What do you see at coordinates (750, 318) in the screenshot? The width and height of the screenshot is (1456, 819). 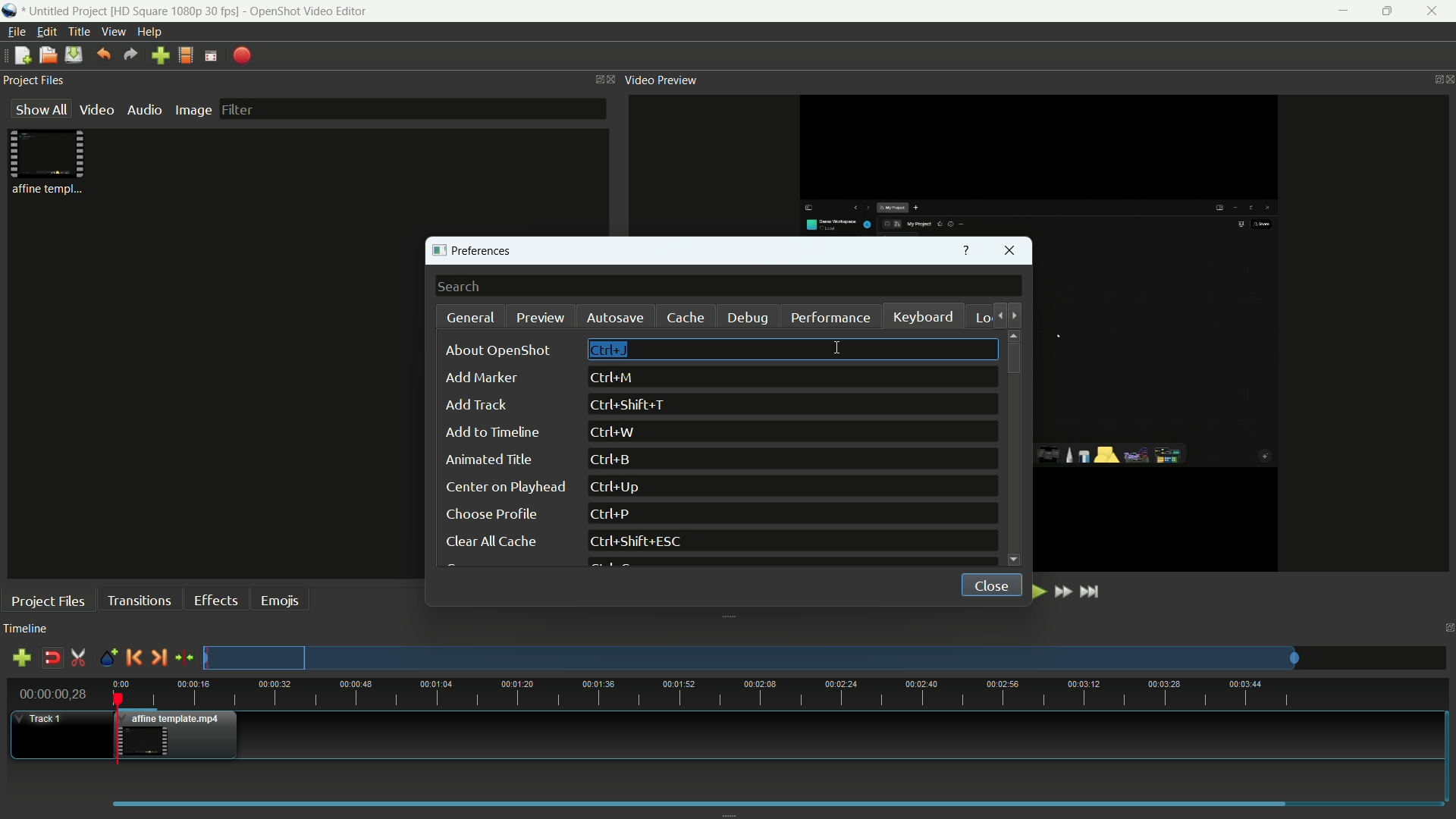 I see `debug` at bounding box center [750, 318].